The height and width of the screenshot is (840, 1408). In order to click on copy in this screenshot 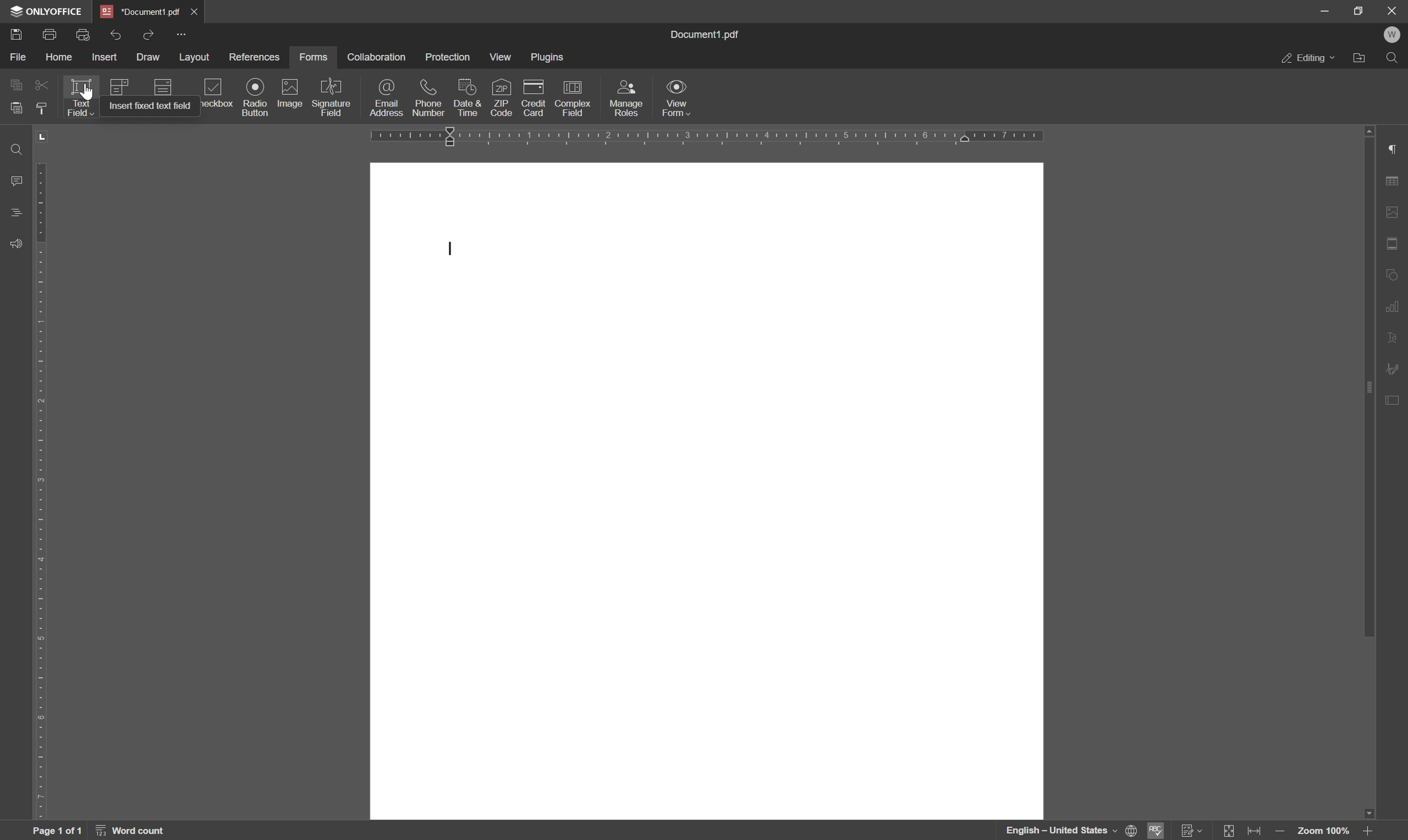, I will do `click(15, 85)`.